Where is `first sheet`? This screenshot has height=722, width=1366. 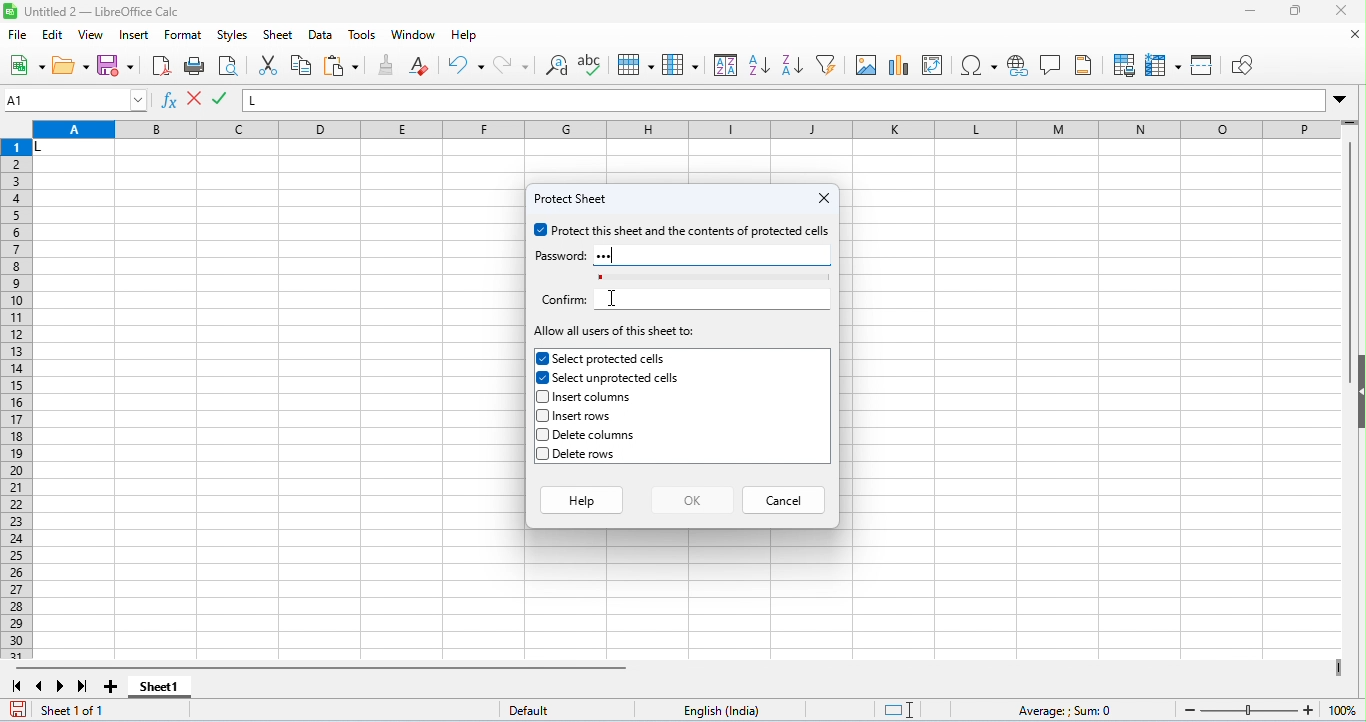 first sheet is located at coordinates (17, 686).